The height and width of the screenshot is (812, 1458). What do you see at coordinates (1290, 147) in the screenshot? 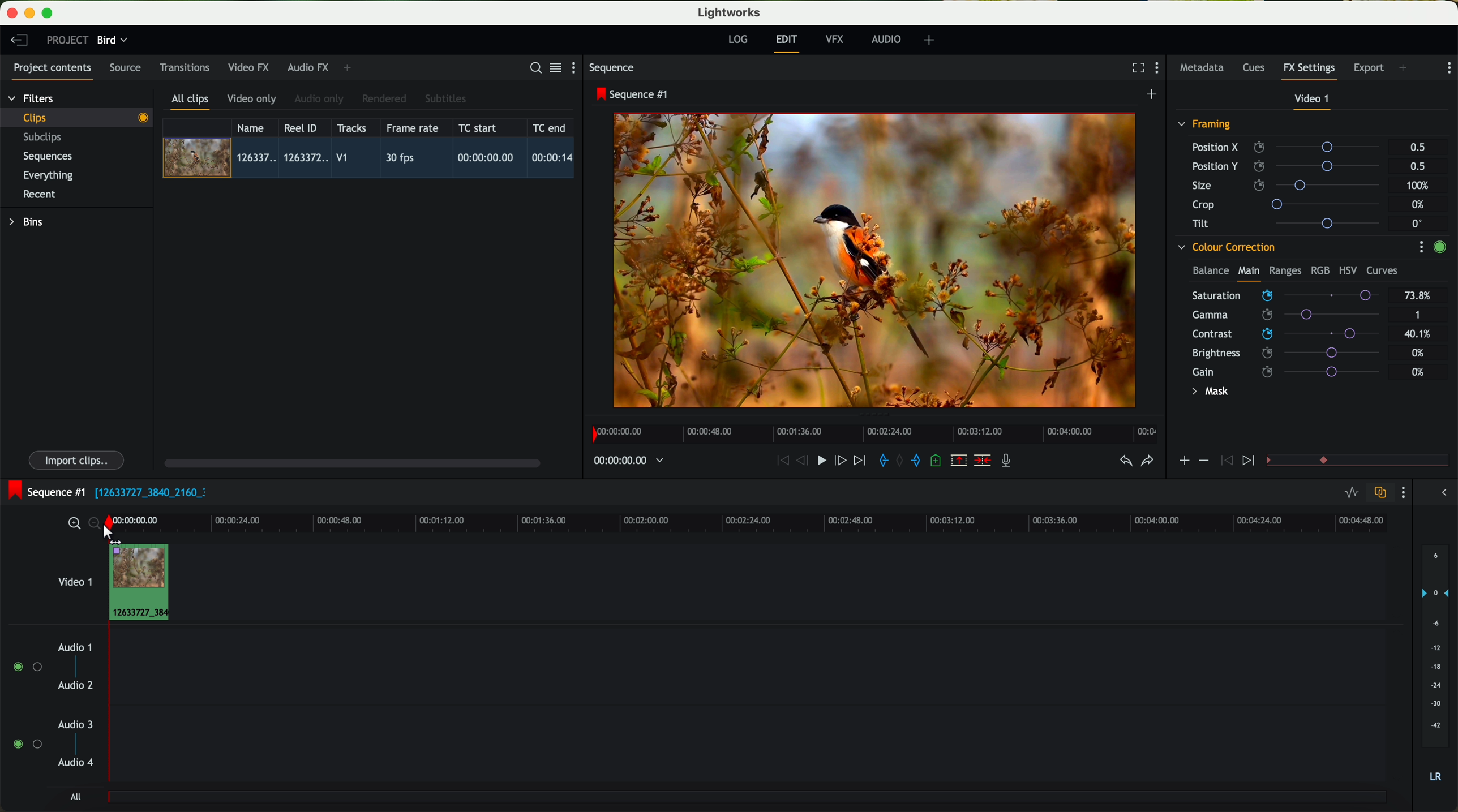
I see `position X` at bounding box center [1290, 147].